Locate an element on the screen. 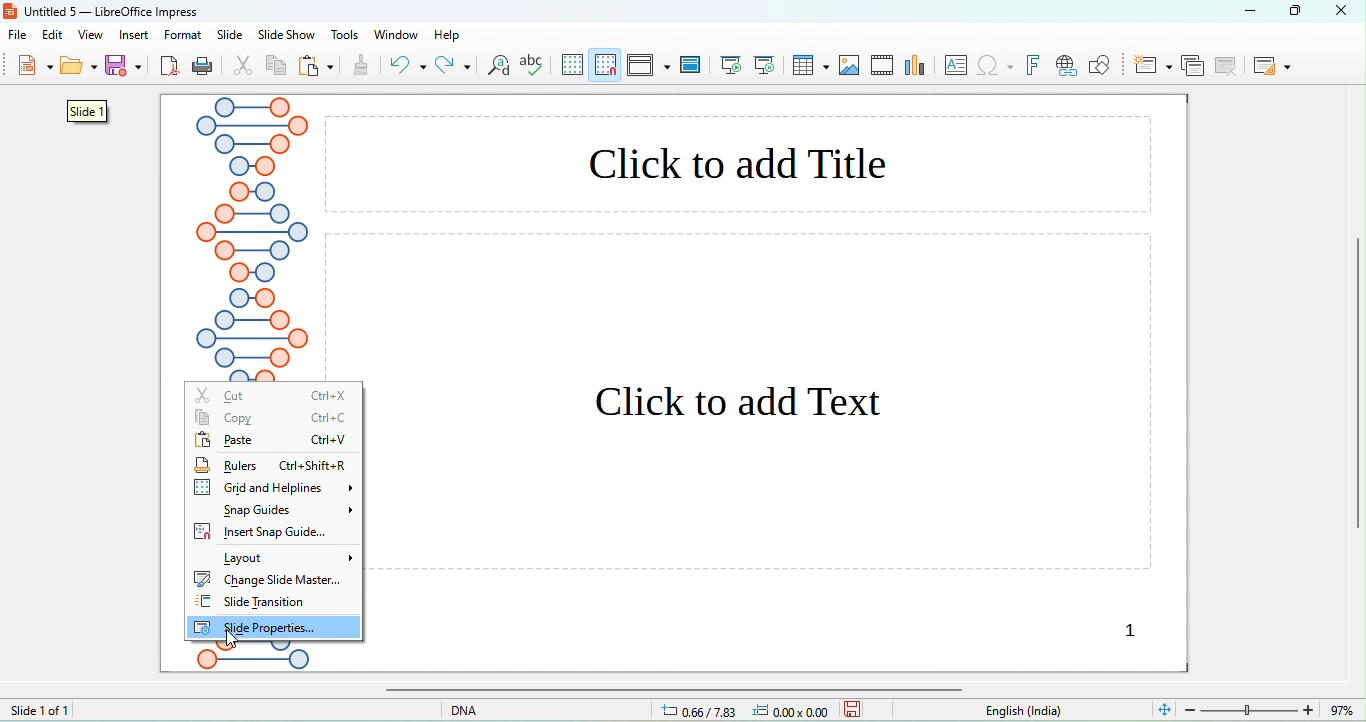  clone is located at coordinates (360, 67).